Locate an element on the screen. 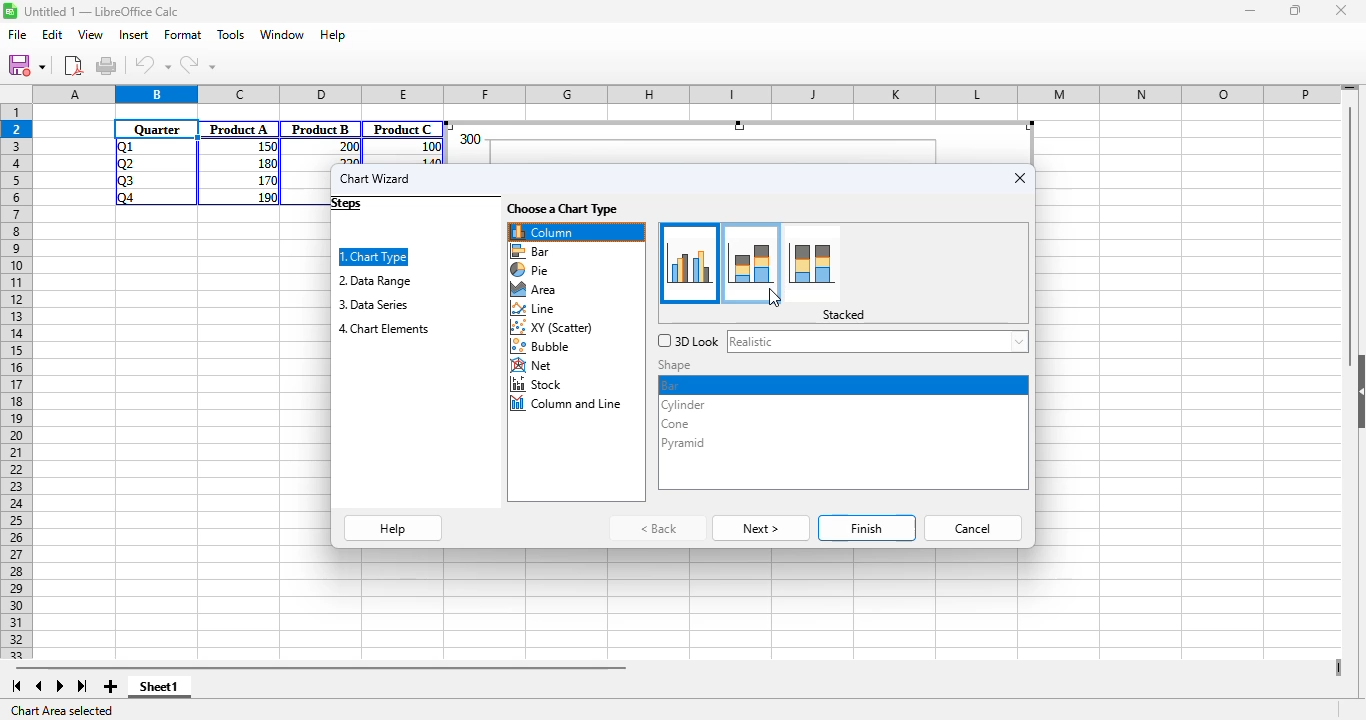 This screenshot has width=1366, height=720. 190 is located at coordinates (267, 197).